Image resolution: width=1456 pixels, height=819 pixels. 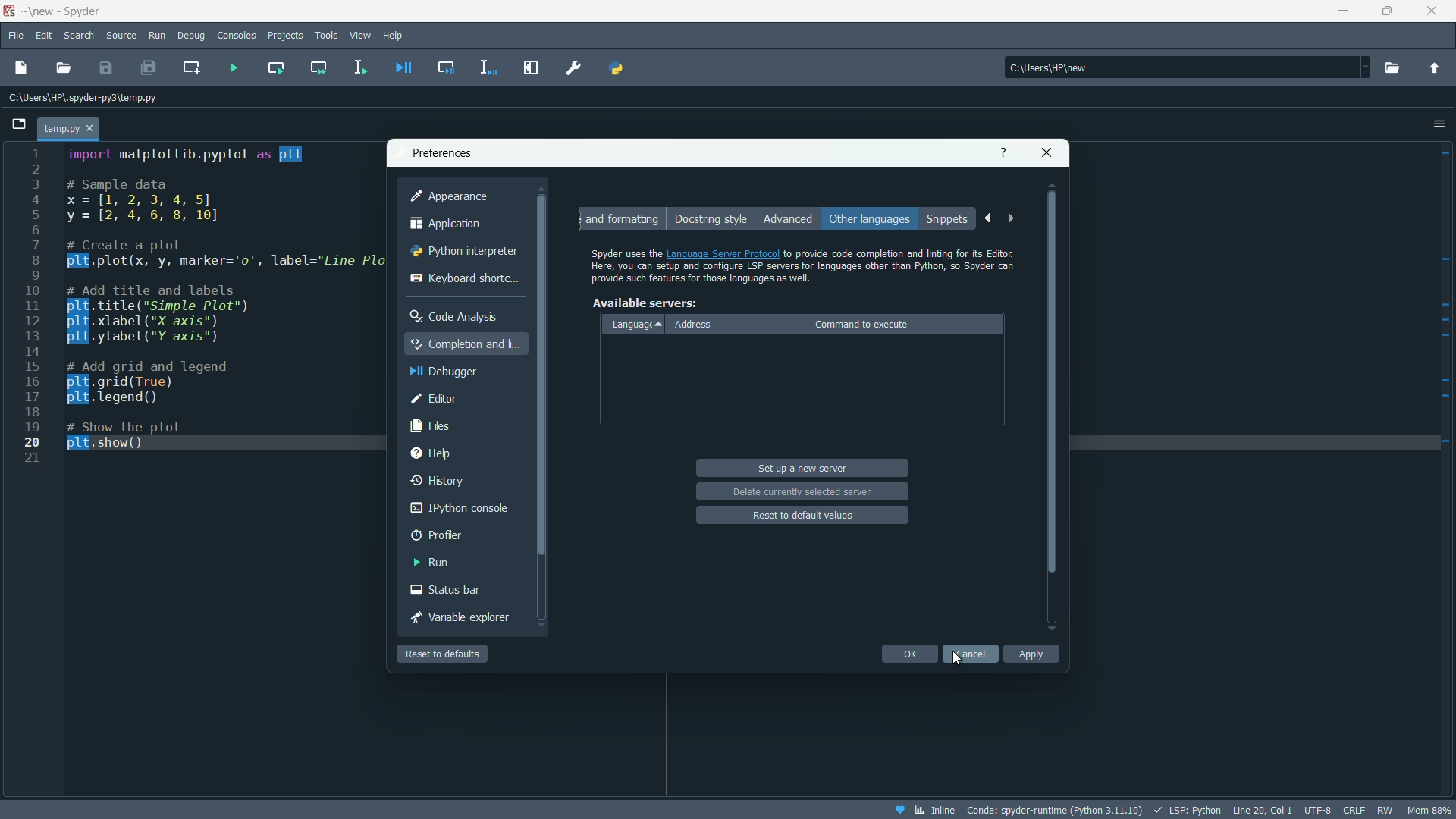 What do you see at coordinates (1031, 654) in the screenshot?
I see `apply` at bounding box center [1031, 654].